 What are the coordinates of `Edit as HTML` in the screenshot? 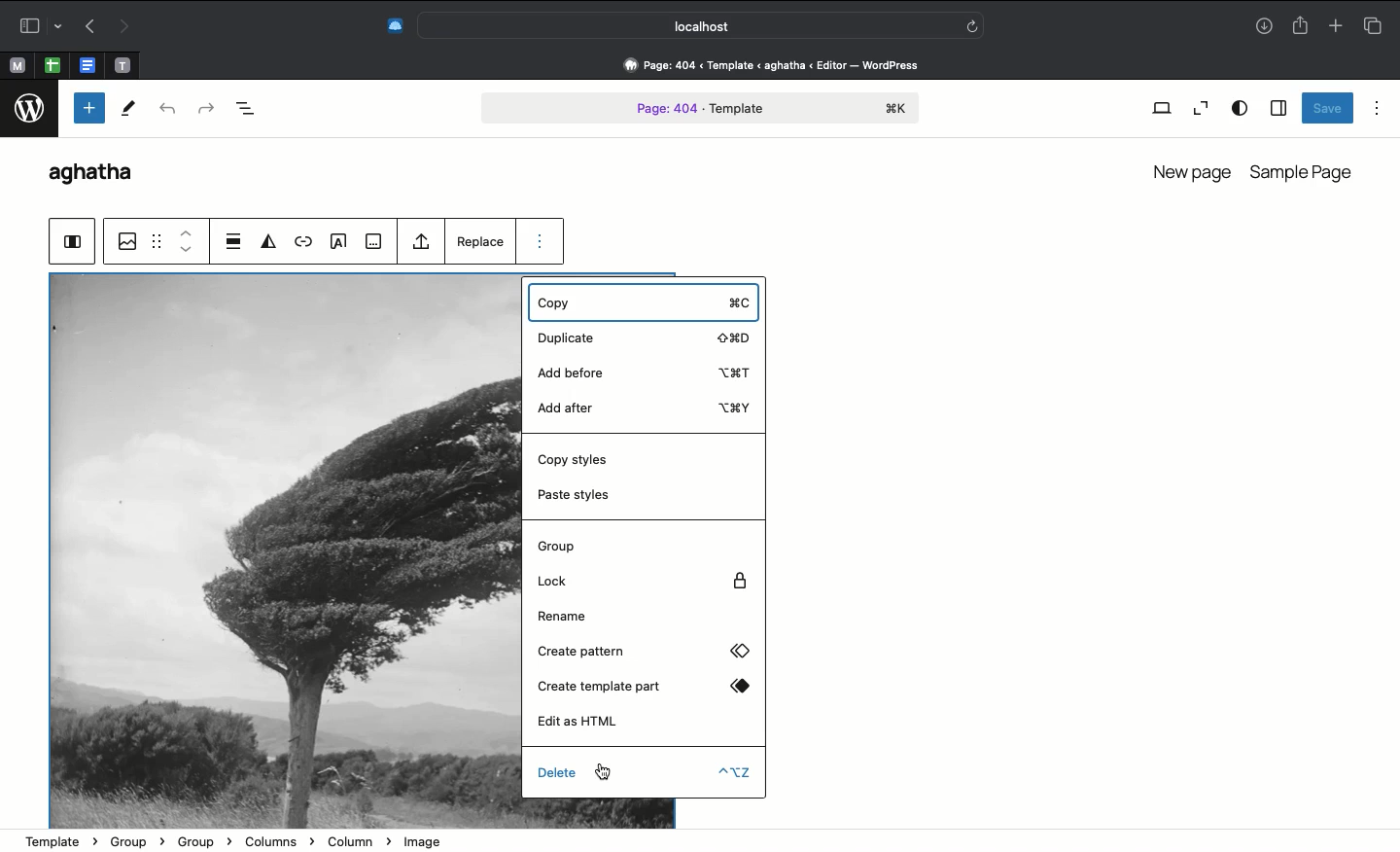 It's located at (584, 725).